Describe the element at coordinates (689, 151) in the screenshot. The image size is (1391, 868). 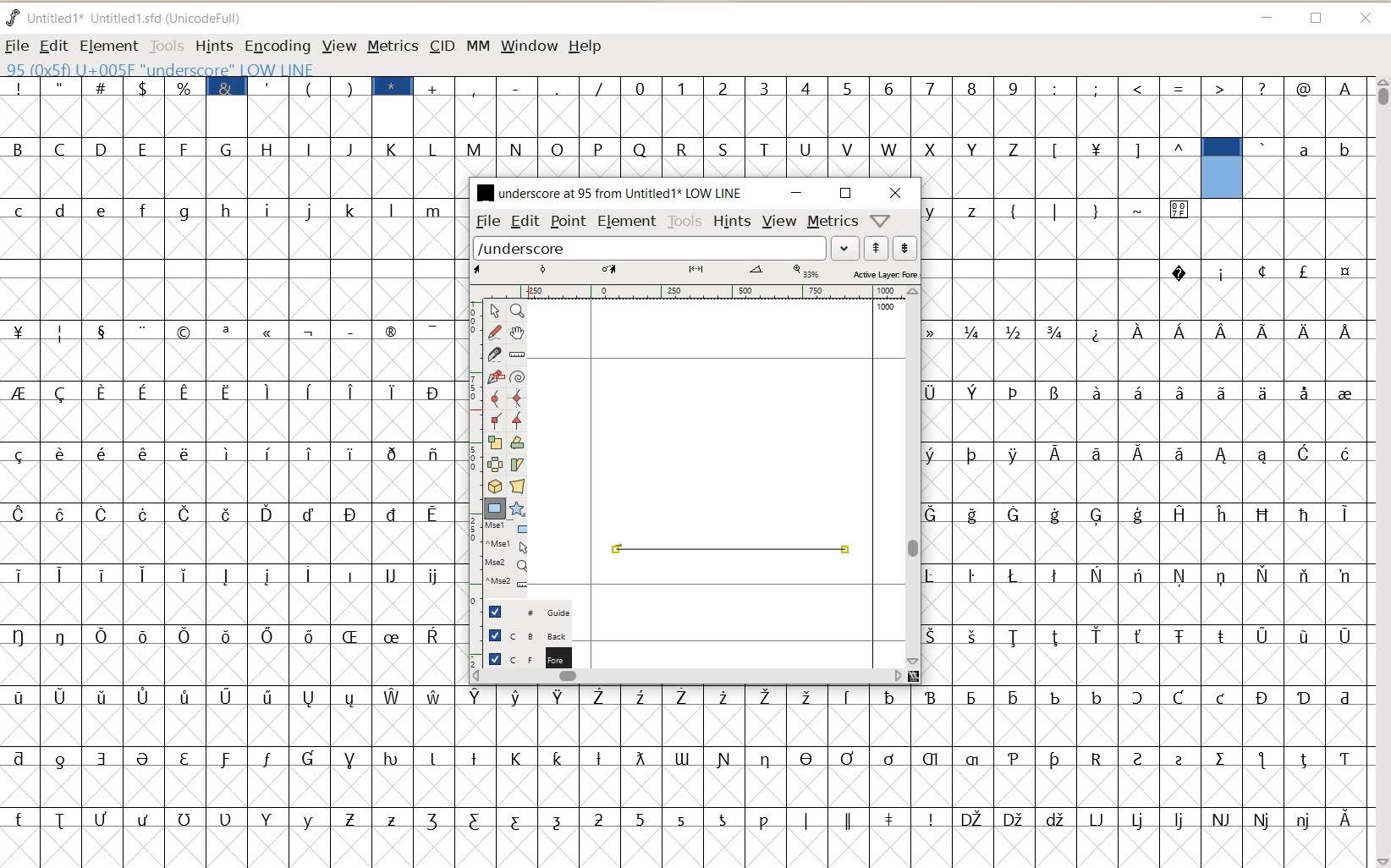
I see `GLYPHY CHARACTERS` at that location.